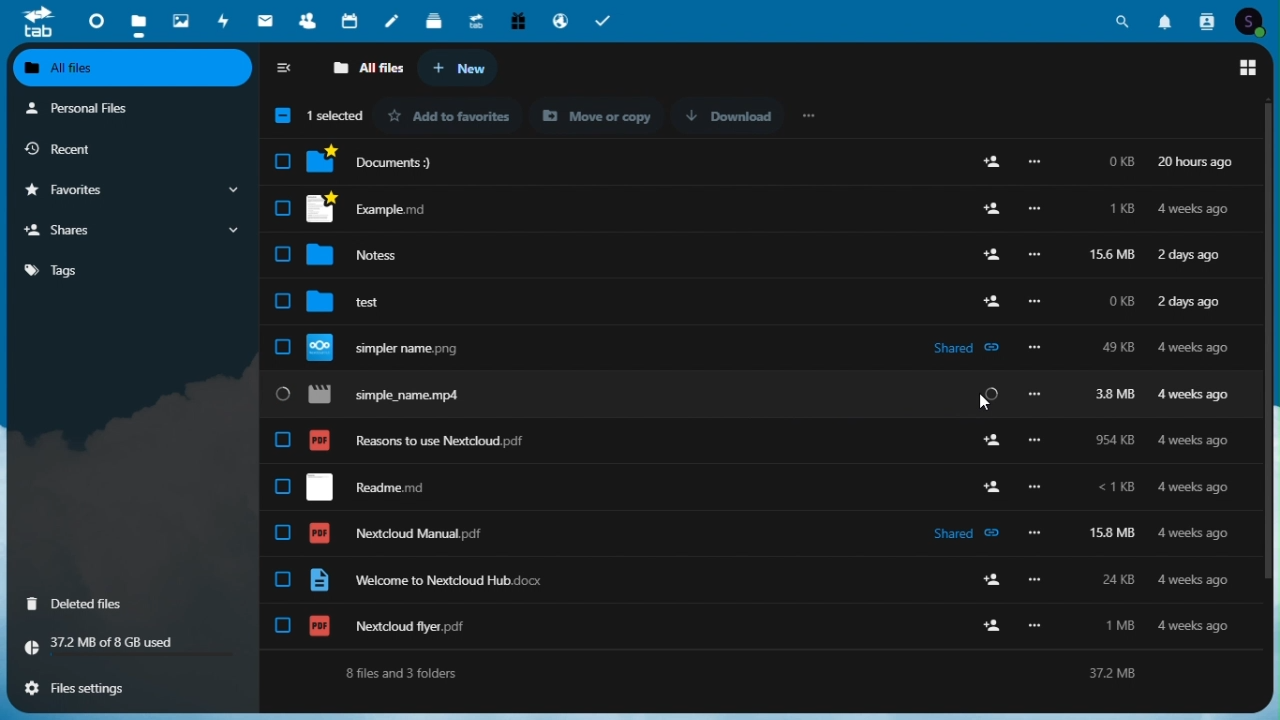  What do you see at coordinates (762, 114) in the screenshot?
I see `text` at bounding box center [762, 114].